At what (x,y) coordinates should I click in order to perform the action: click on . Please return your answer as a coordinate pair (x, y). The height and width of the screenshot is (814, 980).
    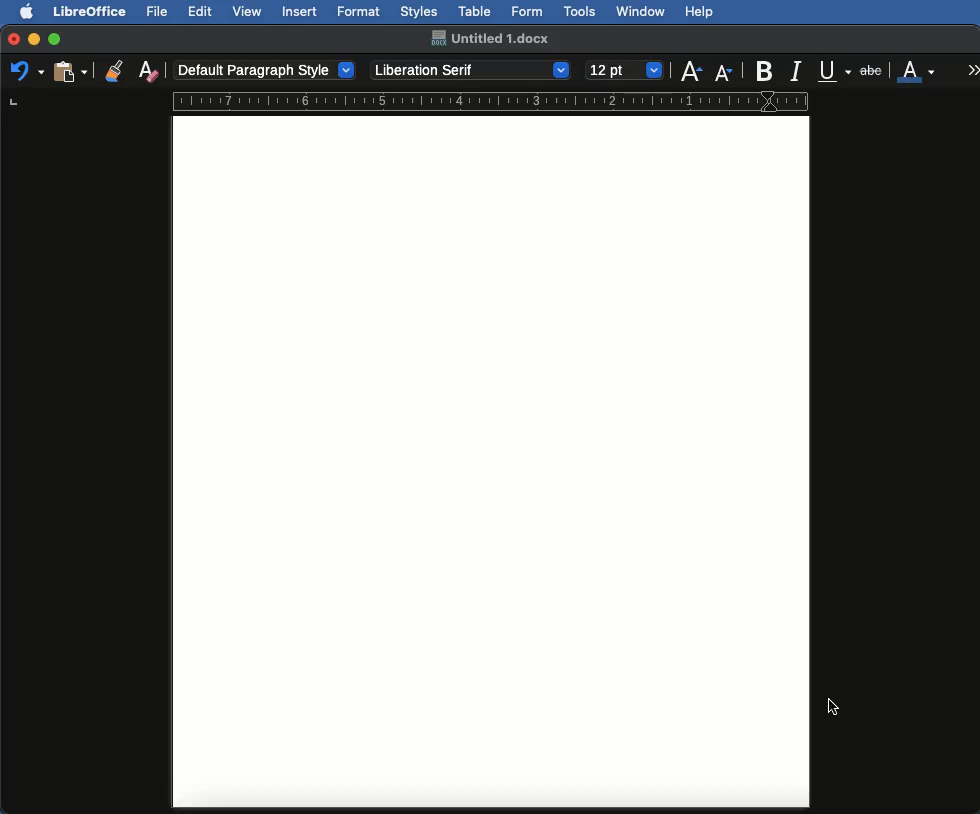
    Looking at the image, I should click on (834, 707).